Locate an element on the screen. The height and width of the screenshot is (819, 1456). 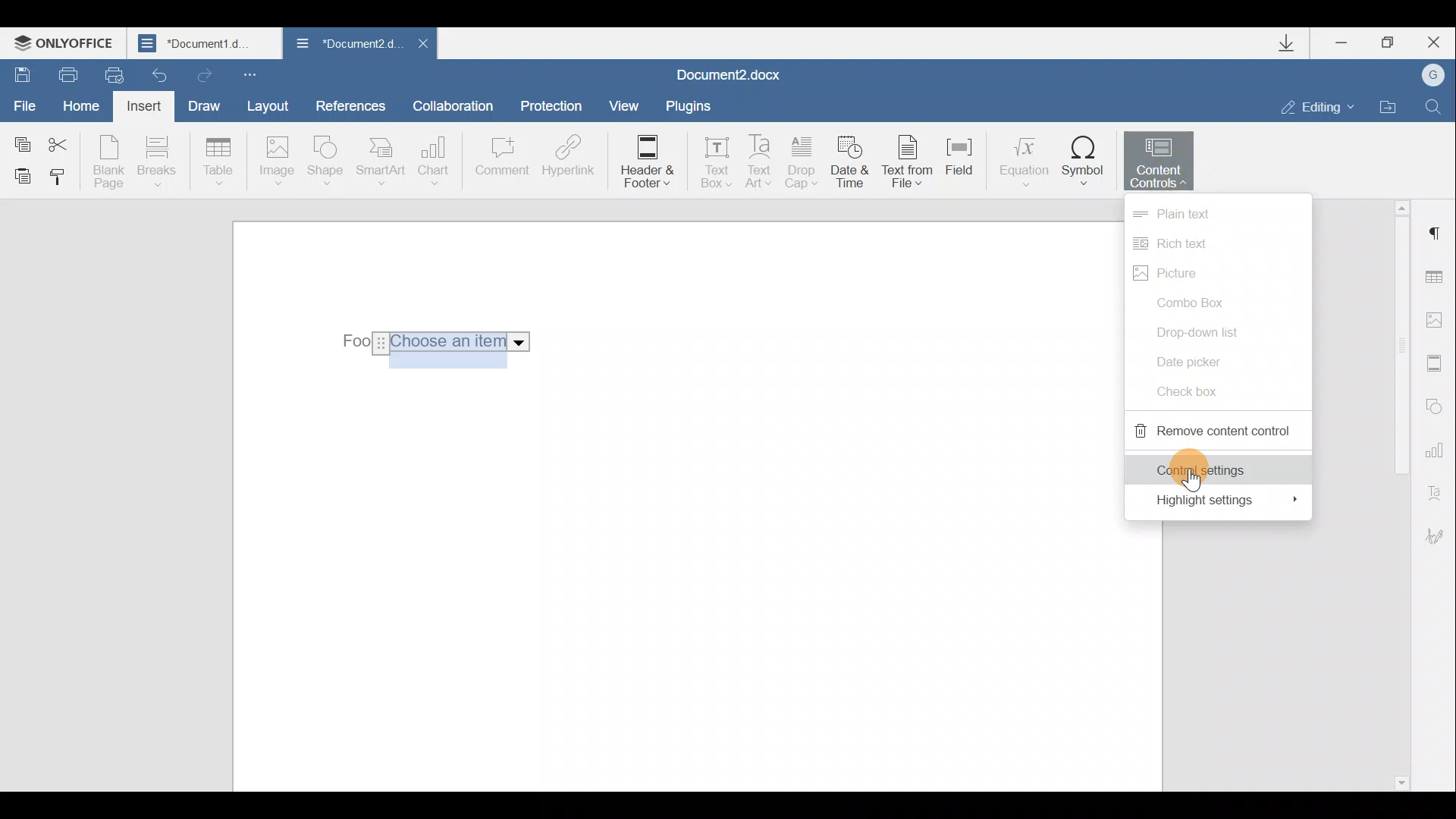
Protection is located at coordinates (555, 108).